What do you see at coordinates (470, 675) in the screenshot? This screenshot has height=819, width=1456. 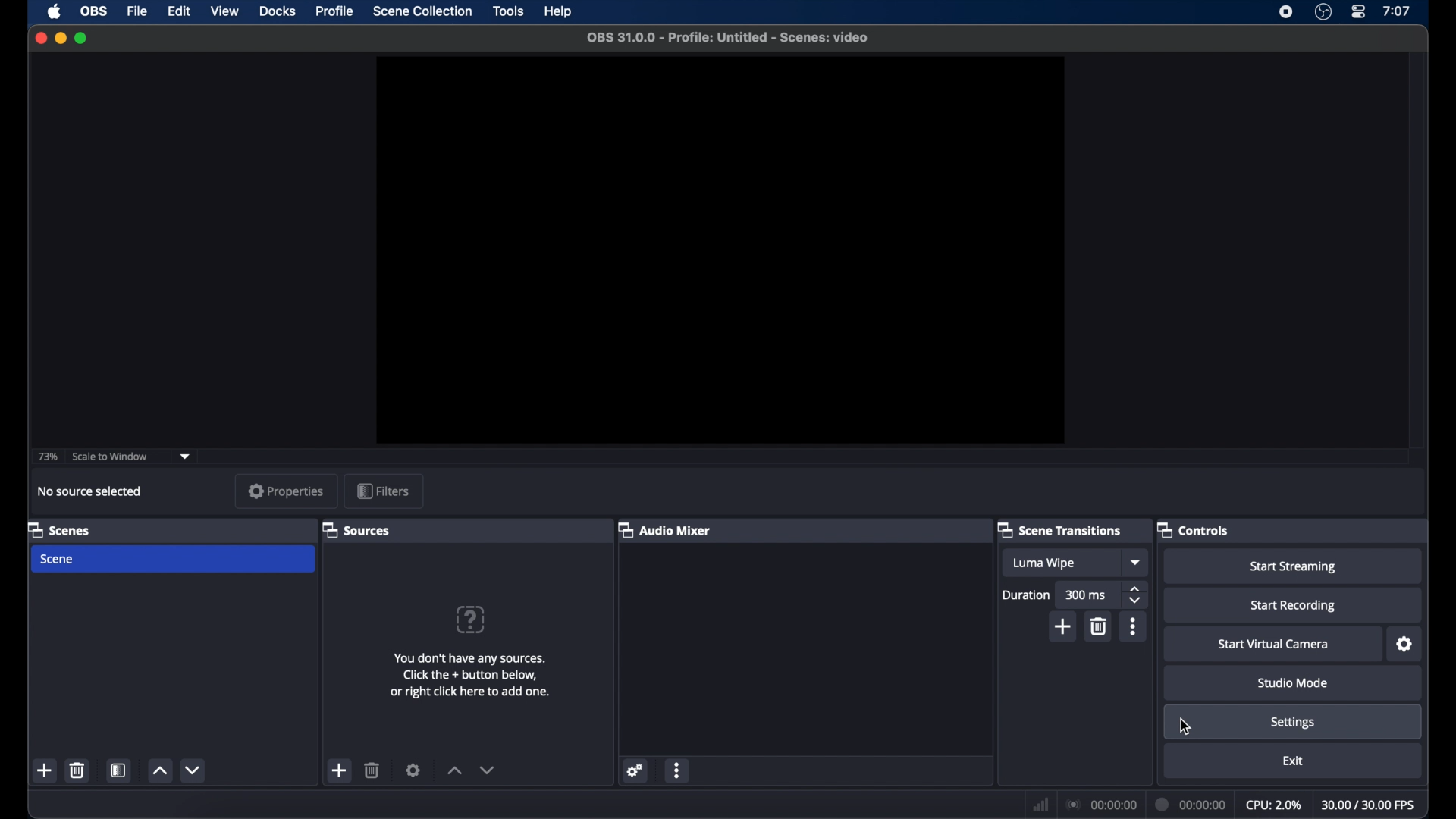 I see `add sources information` at bounding box center [470, 675].